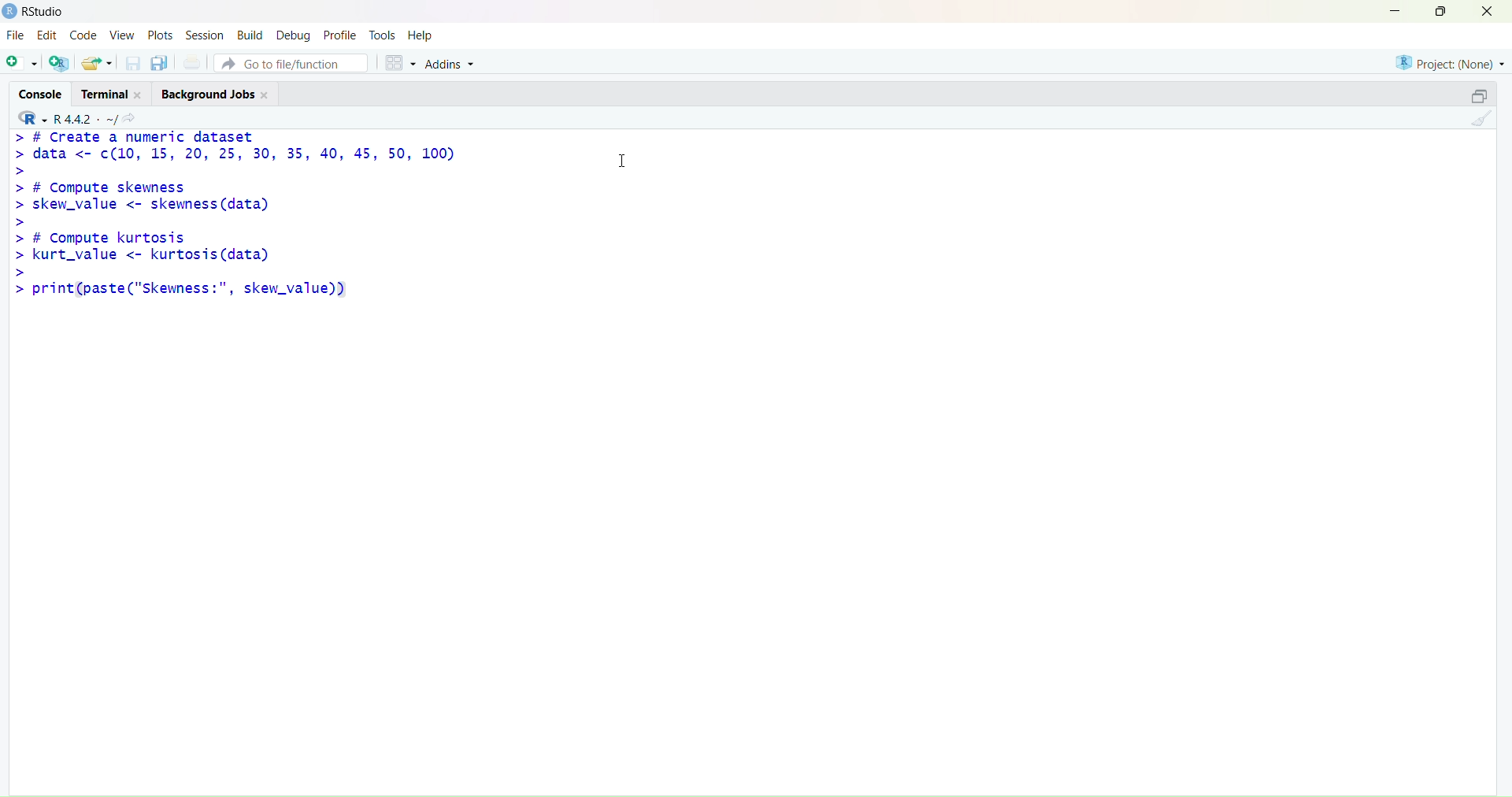 The image size is (1512, 797). Describe the element at coordinates (293, 62) in the screenshot. I see `Go to file/function` at that location.